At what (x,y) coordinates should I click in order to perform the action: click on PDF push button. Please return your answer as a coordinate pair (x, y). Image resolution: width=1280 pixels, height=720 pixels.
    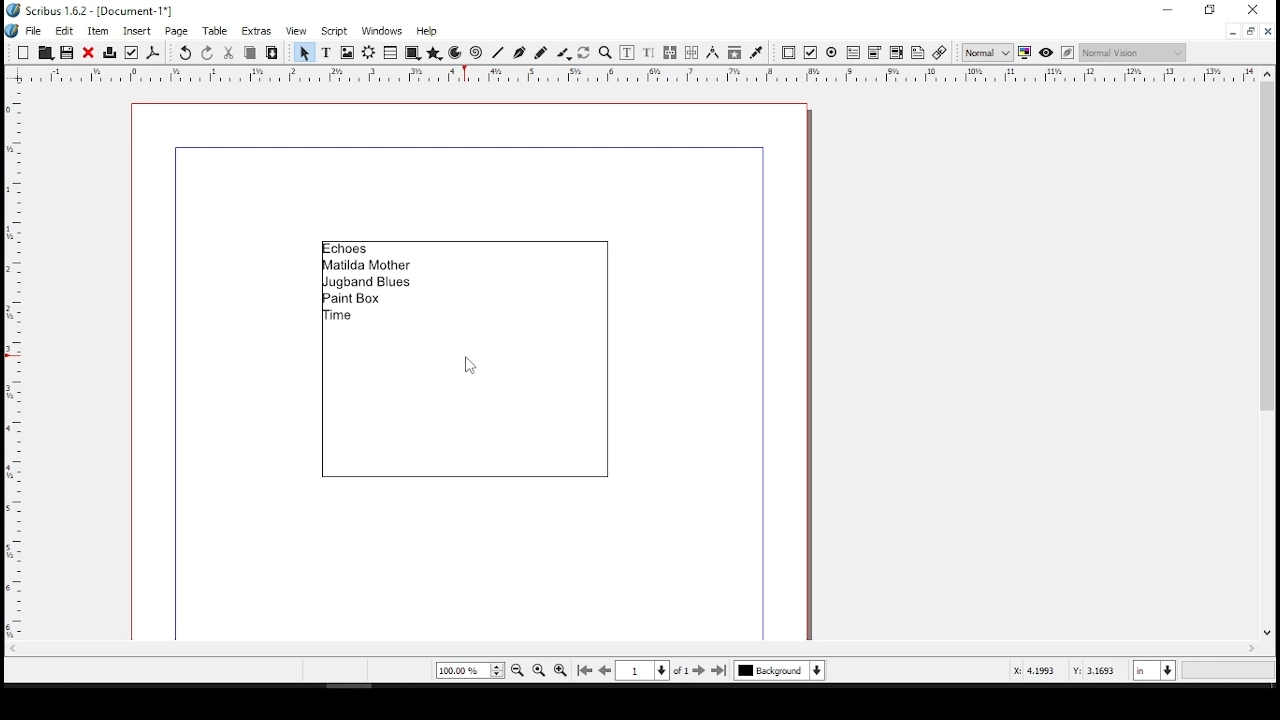
    Looking at the image, I should click on (789, 52).